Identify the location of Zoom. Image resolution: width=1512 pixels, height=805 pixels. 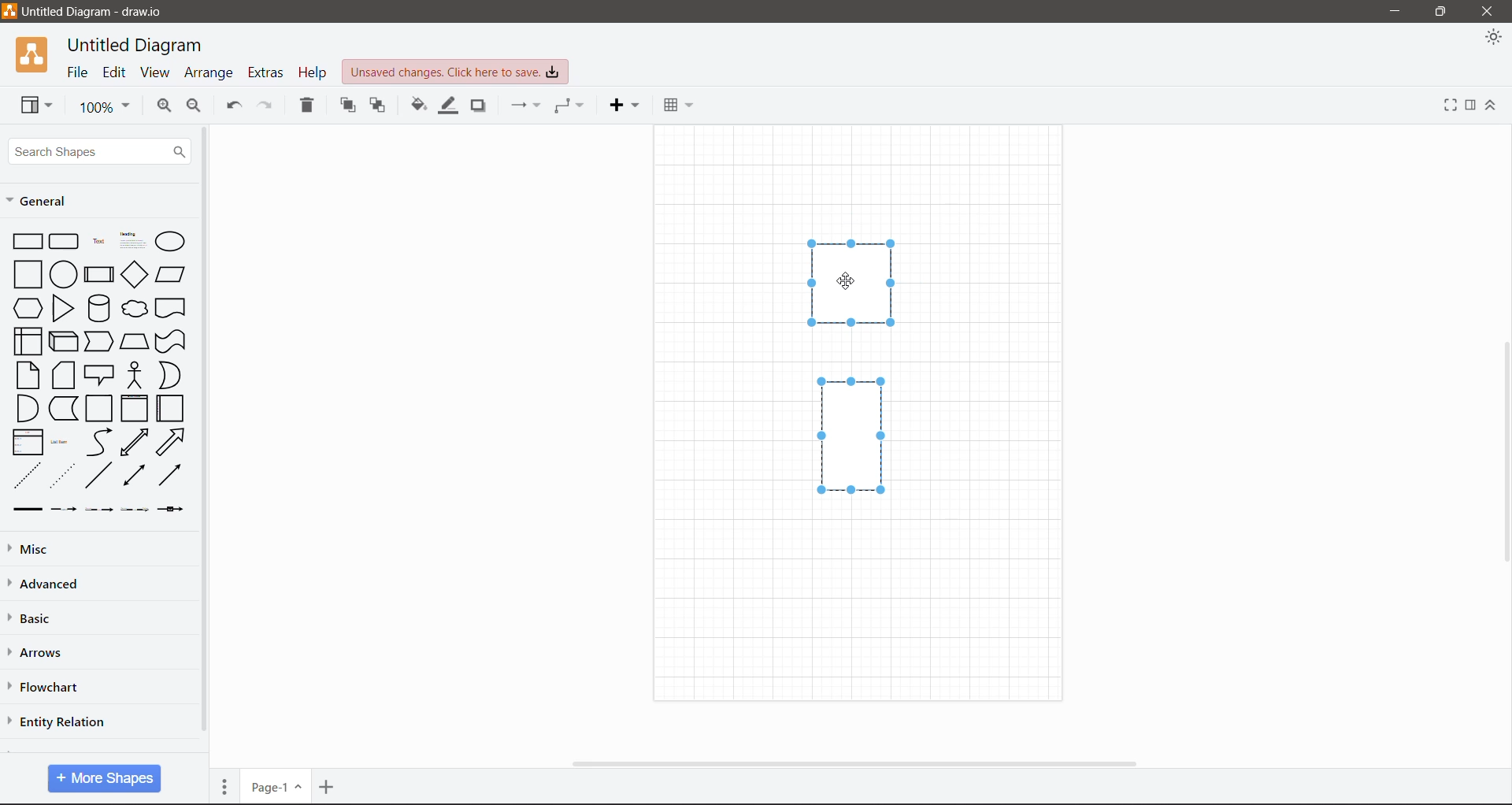
(102, 106).